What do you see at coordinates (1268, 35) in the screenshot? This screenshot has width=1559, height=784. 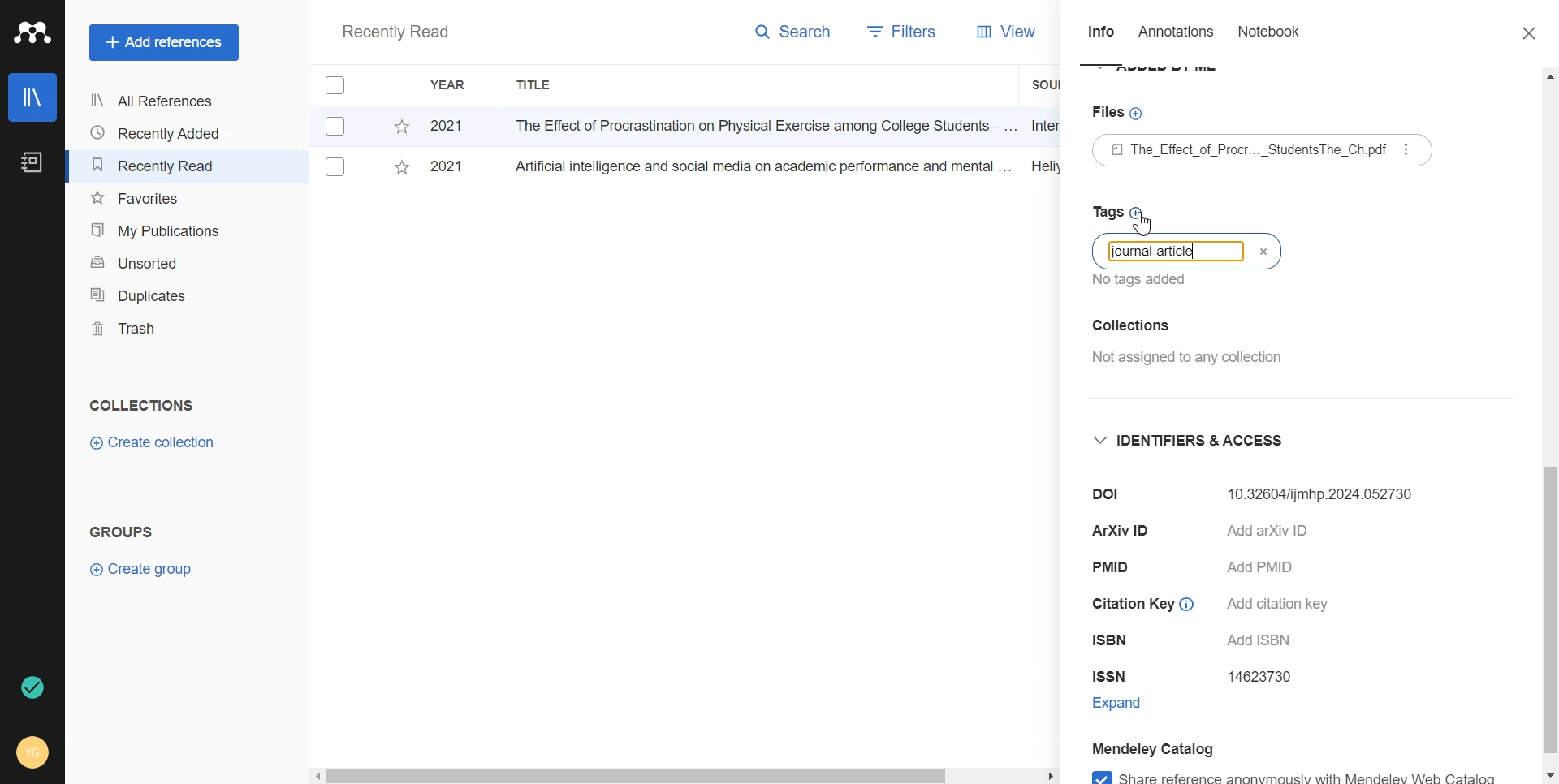 I see `Notebook` at bounding box center [1268, 35].